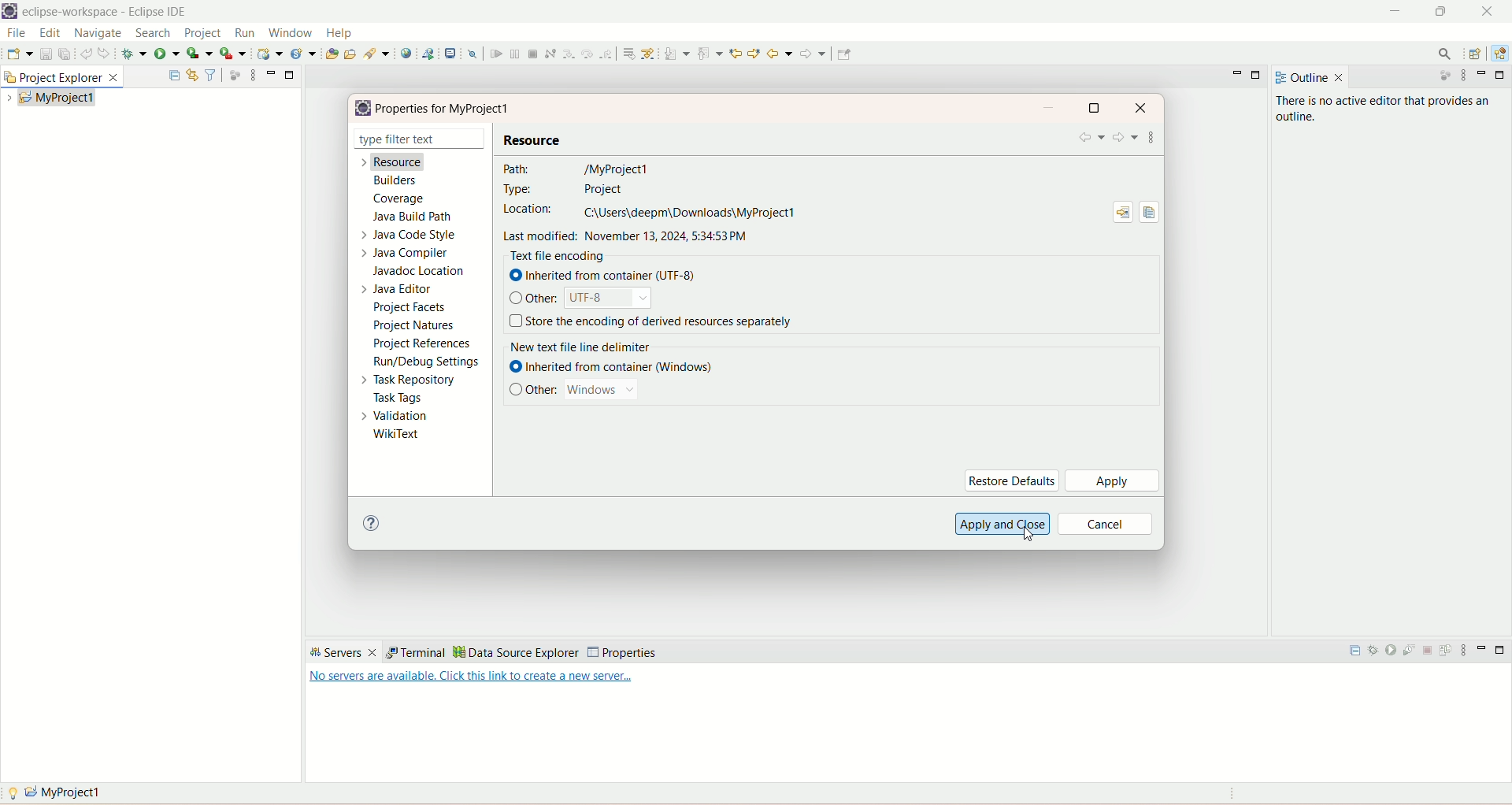 This screenshot has width=1512, height=805. What do you see at coordinates (401, 399) in the screenshot?
I see `task tags` at bounding box center [401, 399].